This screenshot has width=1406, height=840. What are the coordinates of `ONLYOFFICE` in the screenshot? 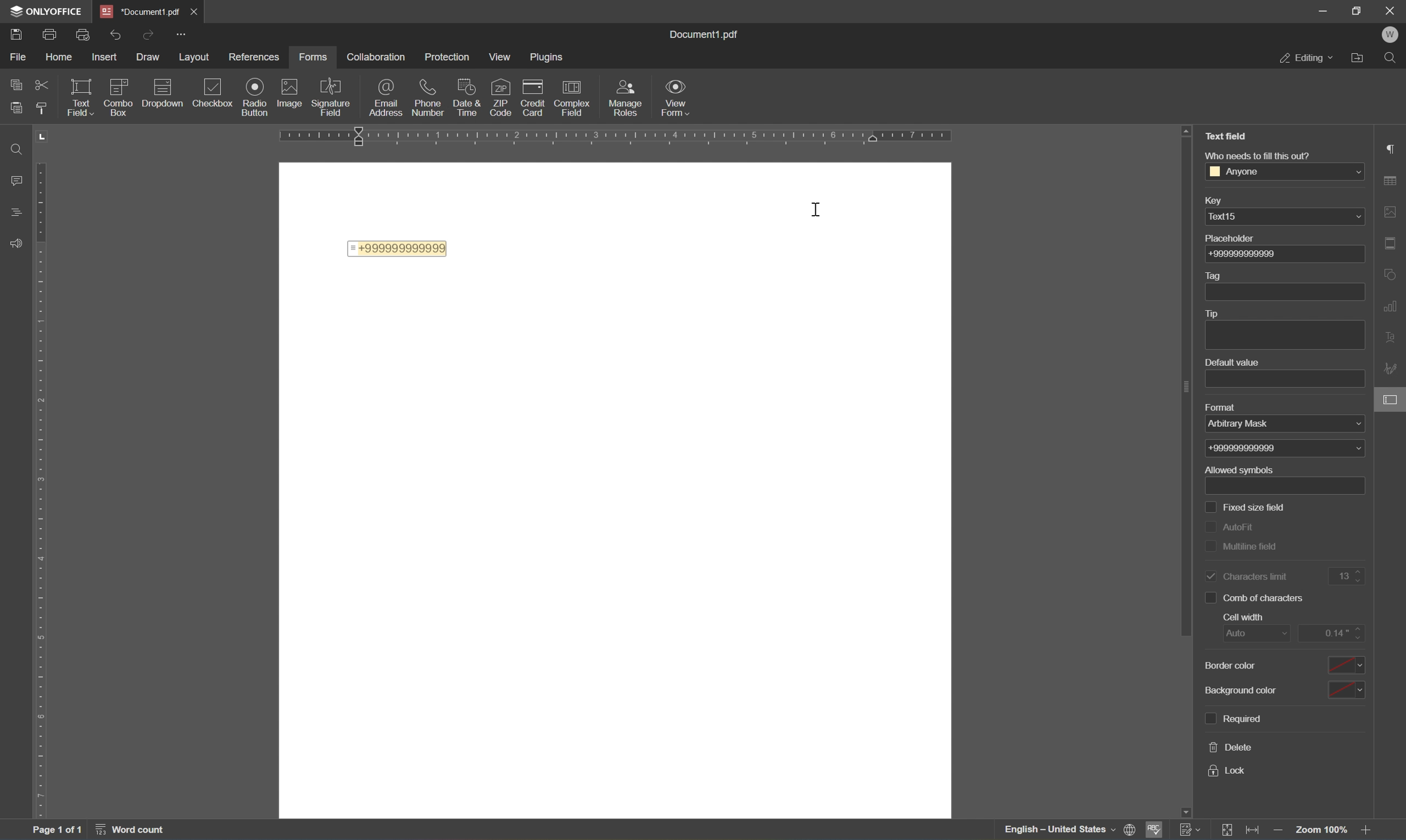 It's located at (42, 9).